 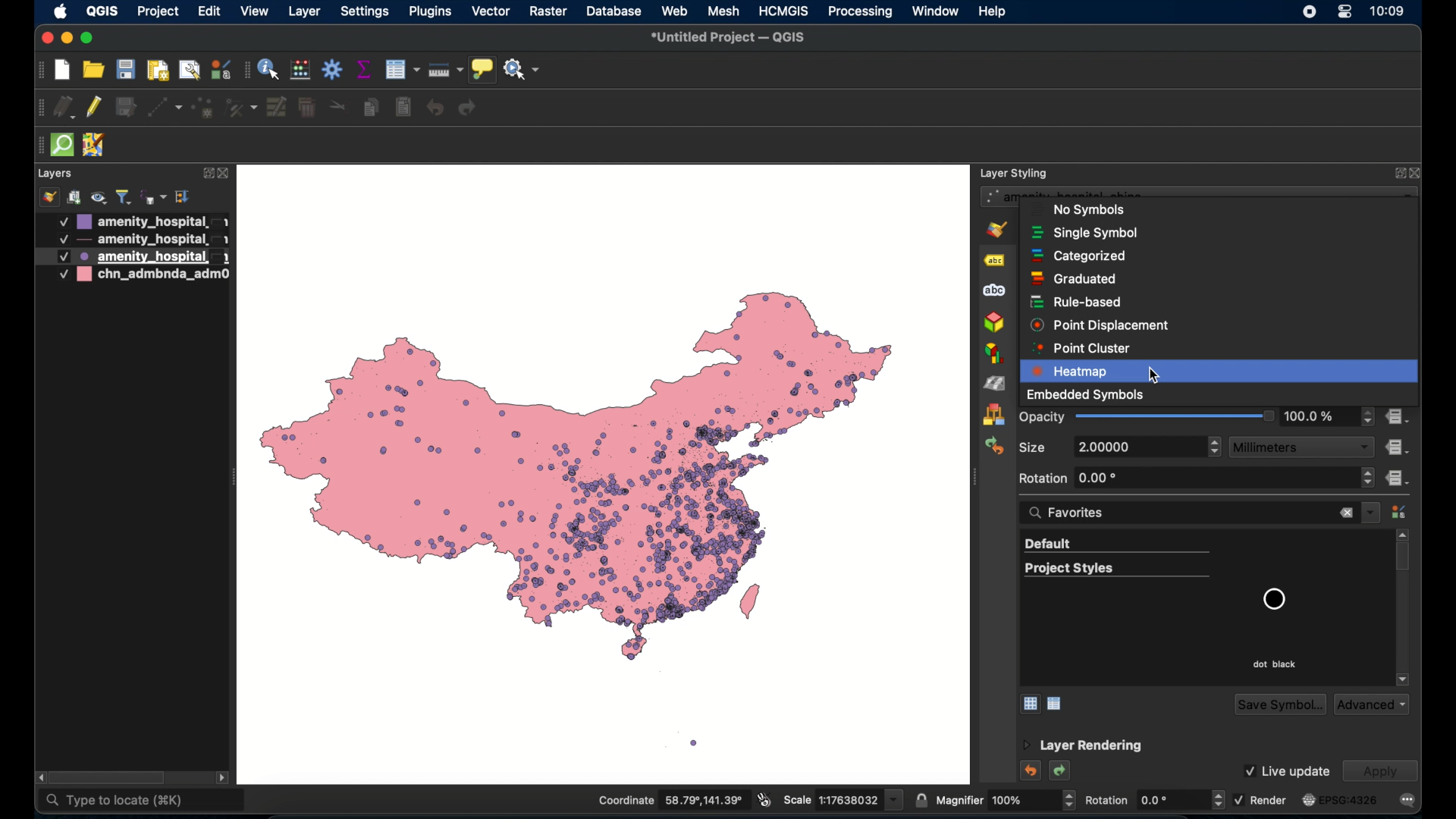 What do you see at coordinates (37, 146) in the screenshot?
I see `drag handle` at bounding box center [37, 146].